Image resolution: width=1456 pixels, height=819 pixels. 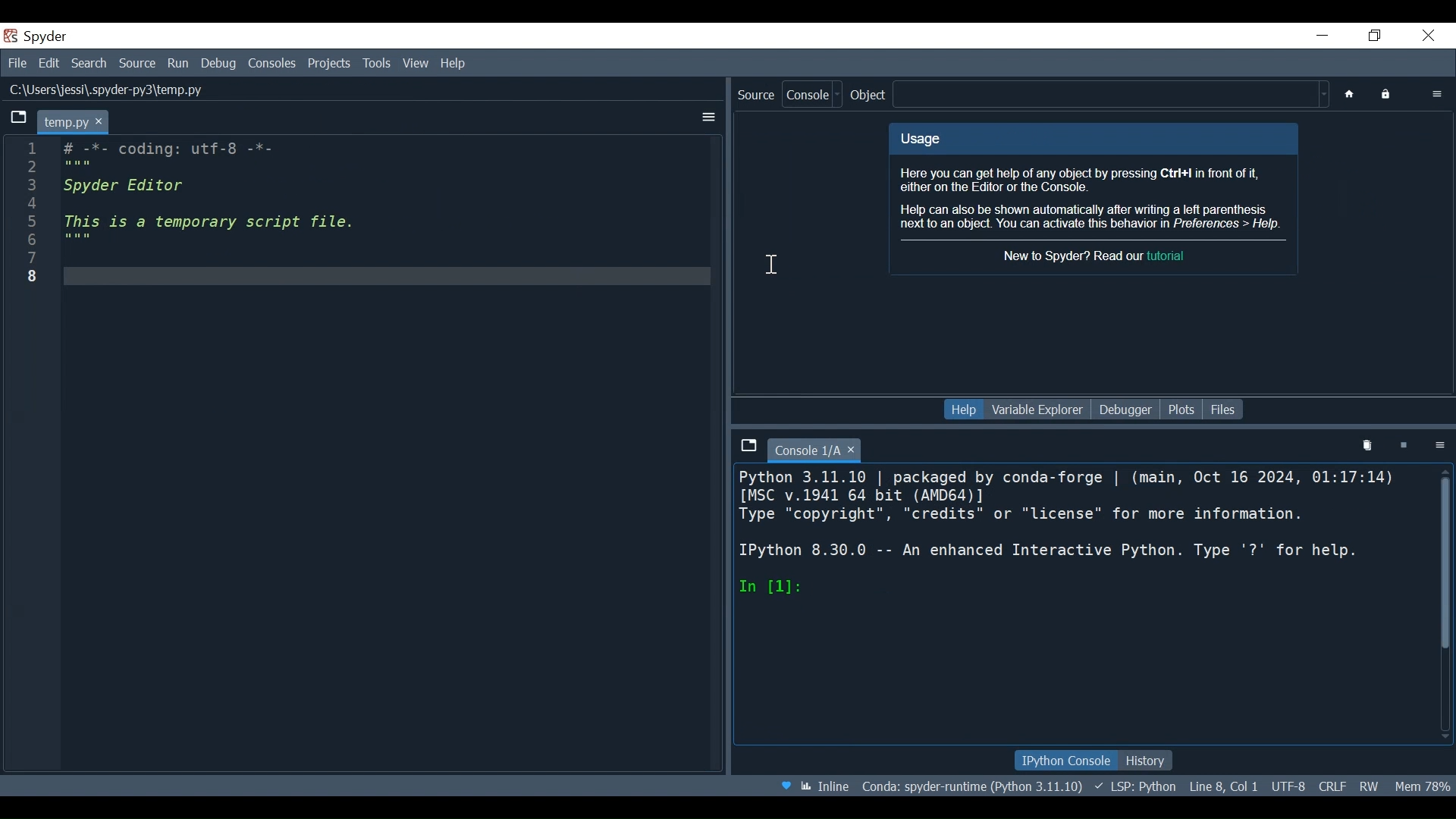 I want to click on Find in, so click(x=1112, y=95).